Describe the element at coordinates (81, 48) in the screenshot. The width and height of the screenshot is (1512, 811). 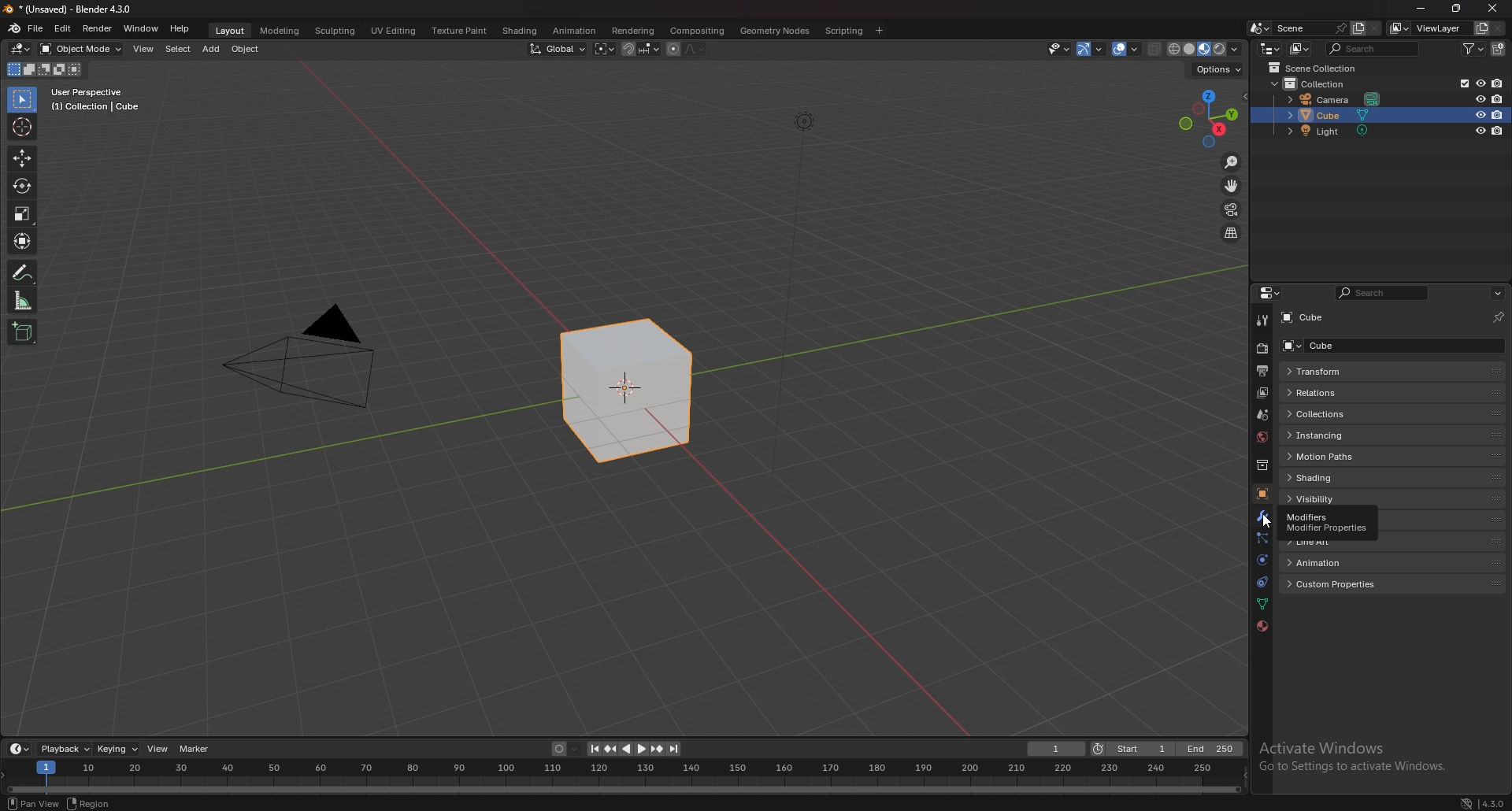
I see `object mode` at that location.